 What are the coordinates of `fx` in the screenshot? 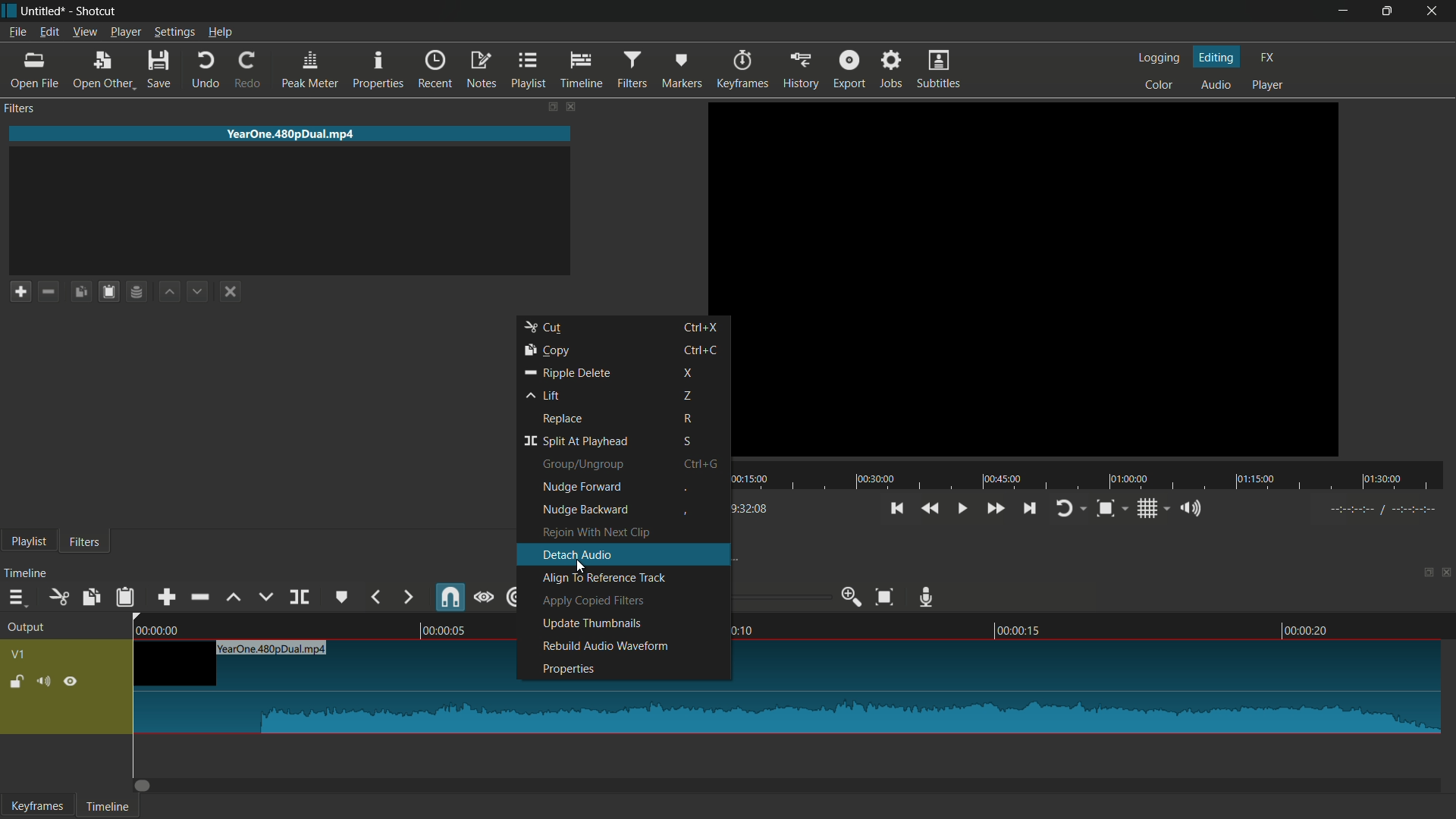 It's located at (1266, 57).